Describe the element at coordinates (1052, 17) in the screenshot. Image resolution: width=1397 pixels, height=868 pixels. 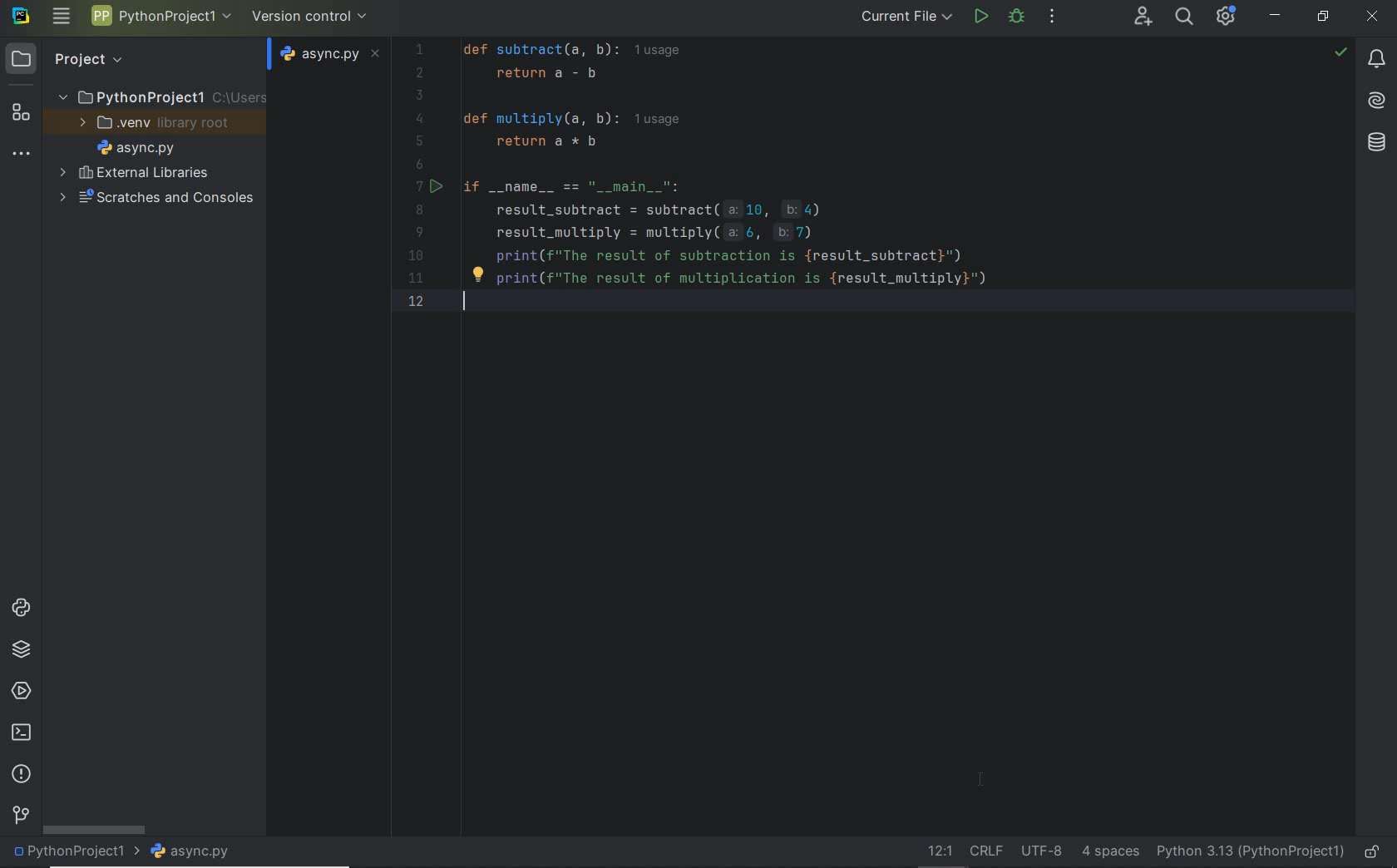
I see `more actions` at that location.